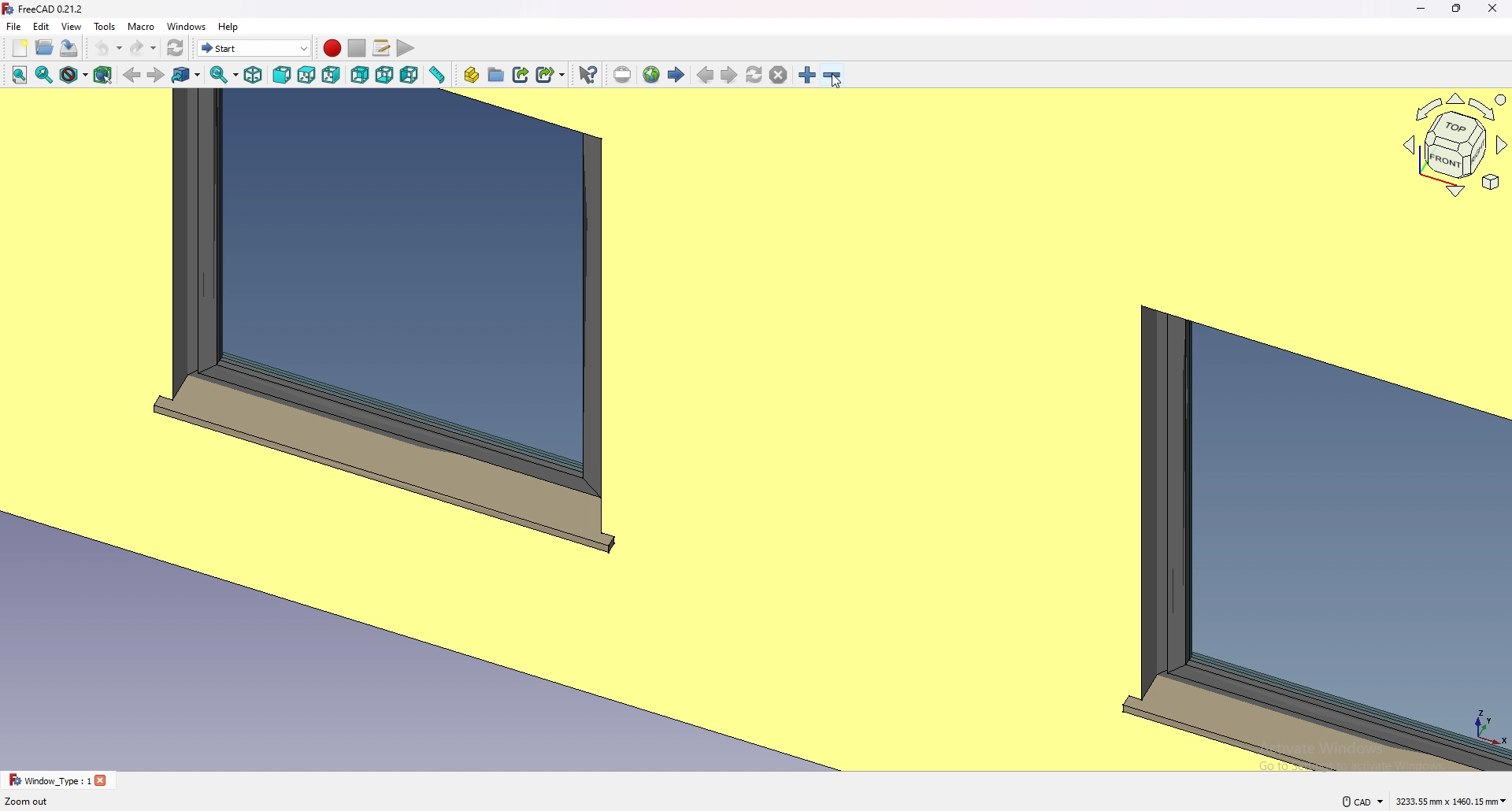  What do you see at coordinates (14, 26) in the screenshot?
I see `file` at bounding box center [14, 26].